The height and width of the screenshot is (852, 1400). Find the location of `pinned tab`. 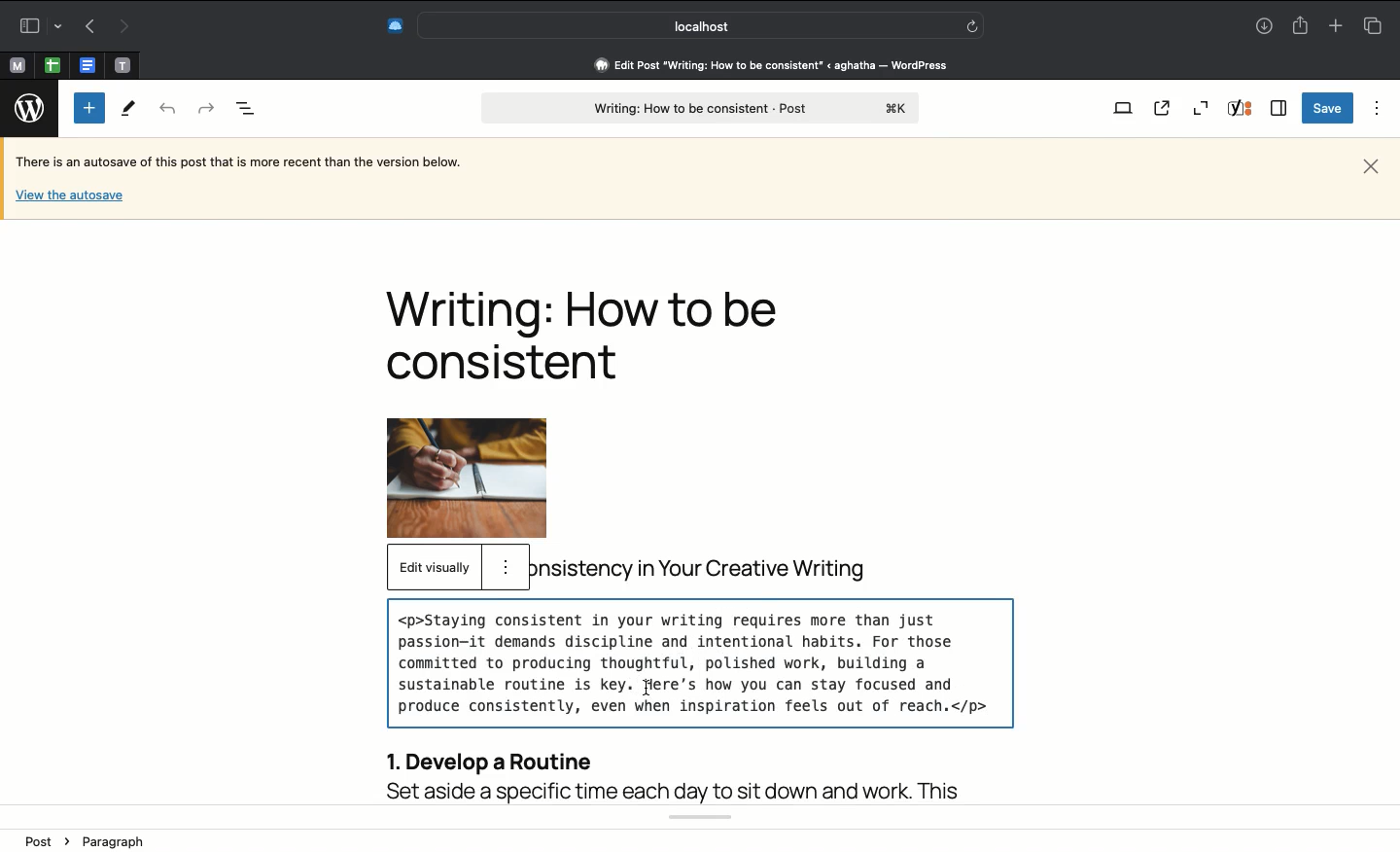

pinned tab is located at coordinates (16, 63).